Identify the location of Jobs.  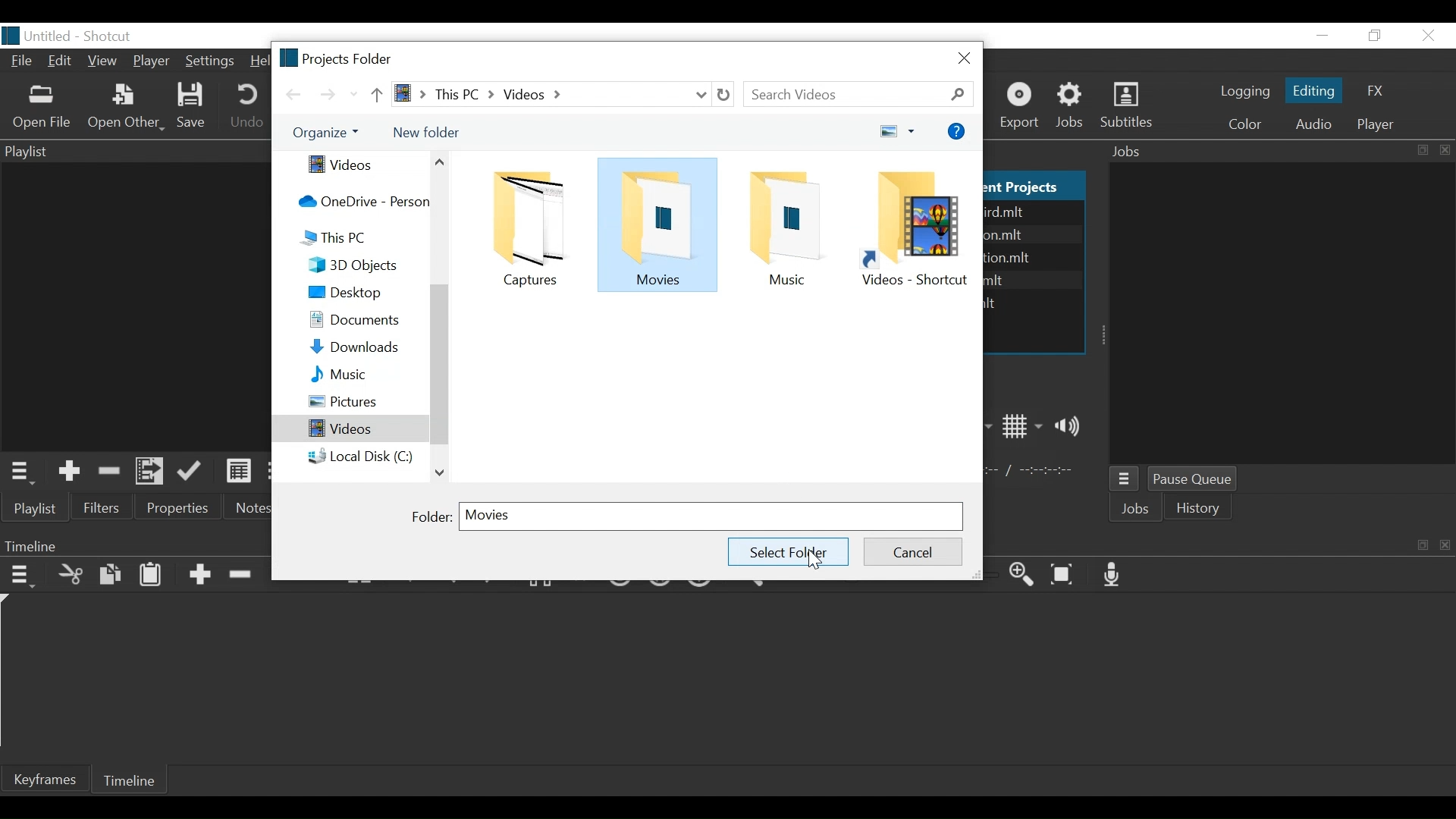
(1075, 105).